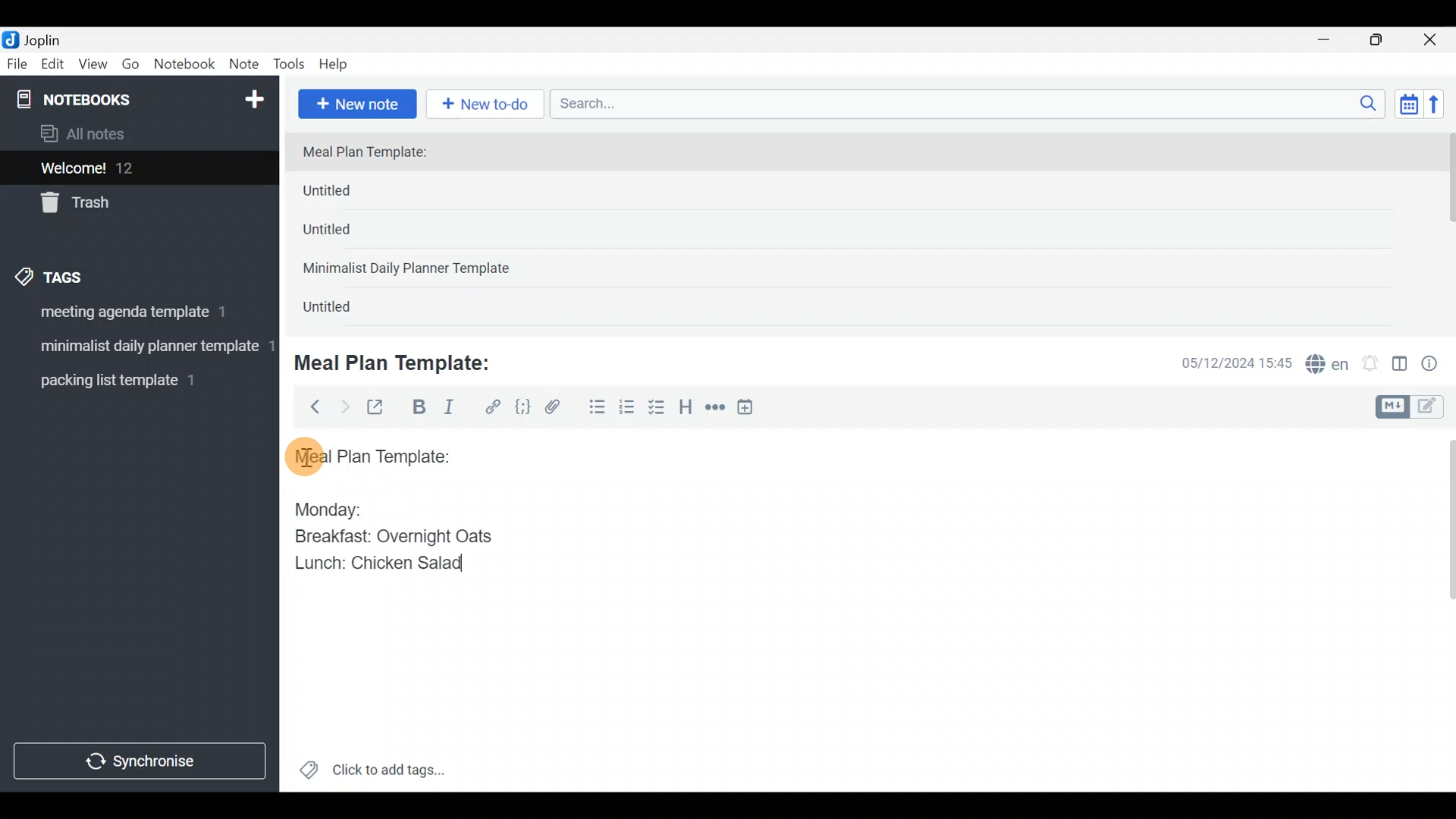  Describe the element at coordinates (247, 65) in the screenshot. I see `Note` at that location.